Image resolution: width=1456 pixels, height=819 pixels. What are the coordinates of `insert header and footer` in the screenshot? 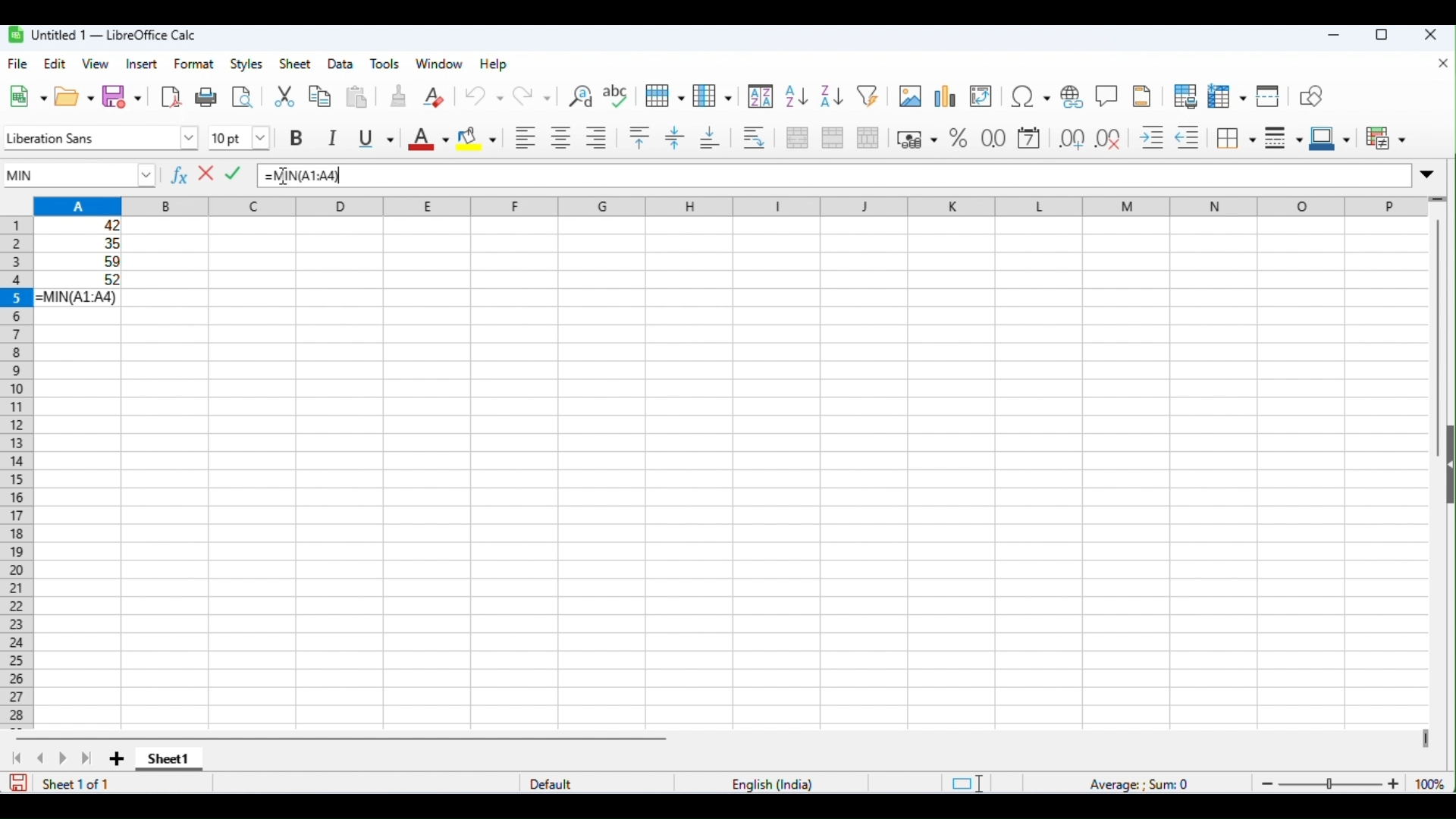 It's located at (1143, 96).